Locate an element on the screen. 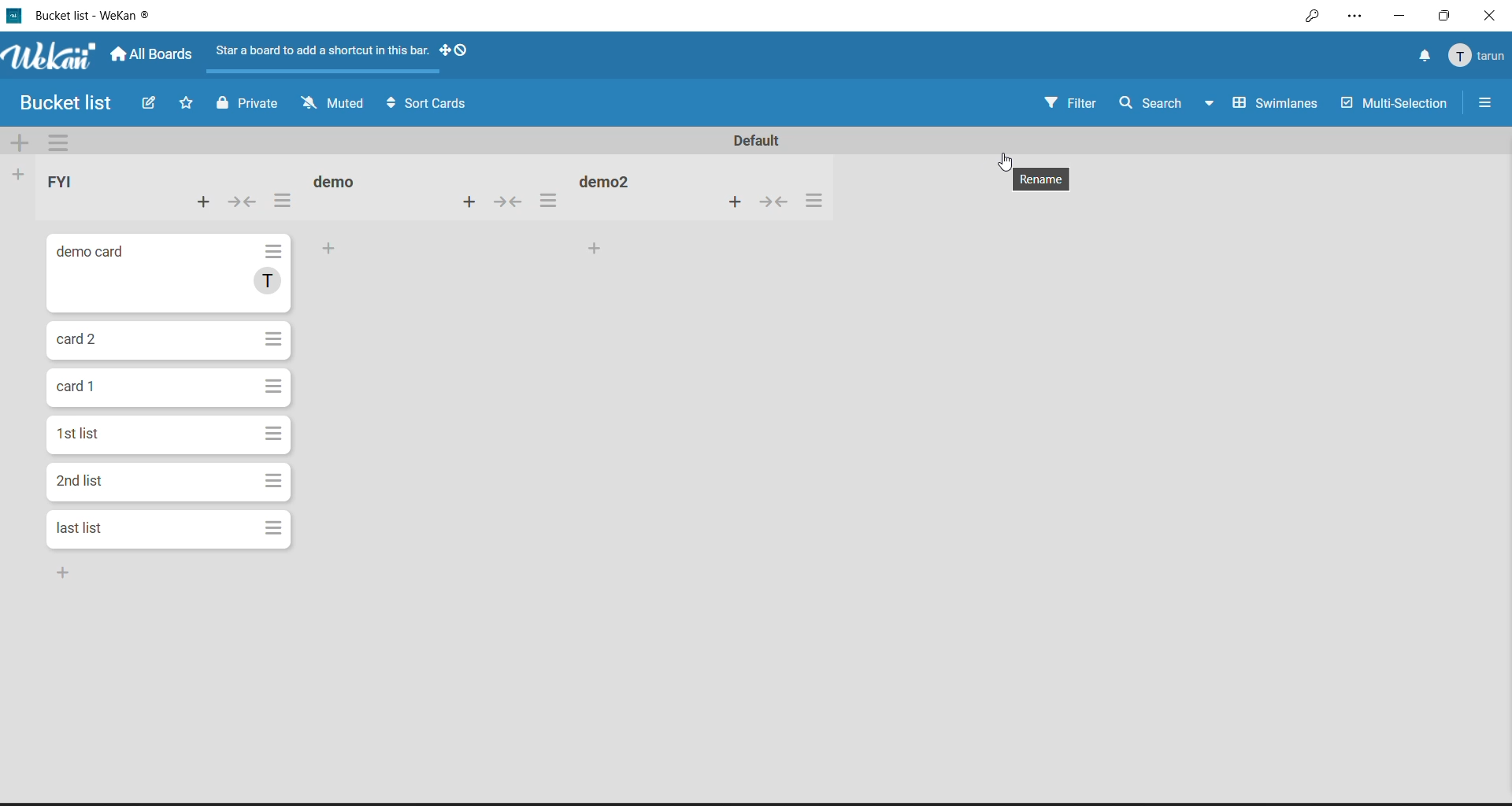  add is located at coordinates (328, 247).